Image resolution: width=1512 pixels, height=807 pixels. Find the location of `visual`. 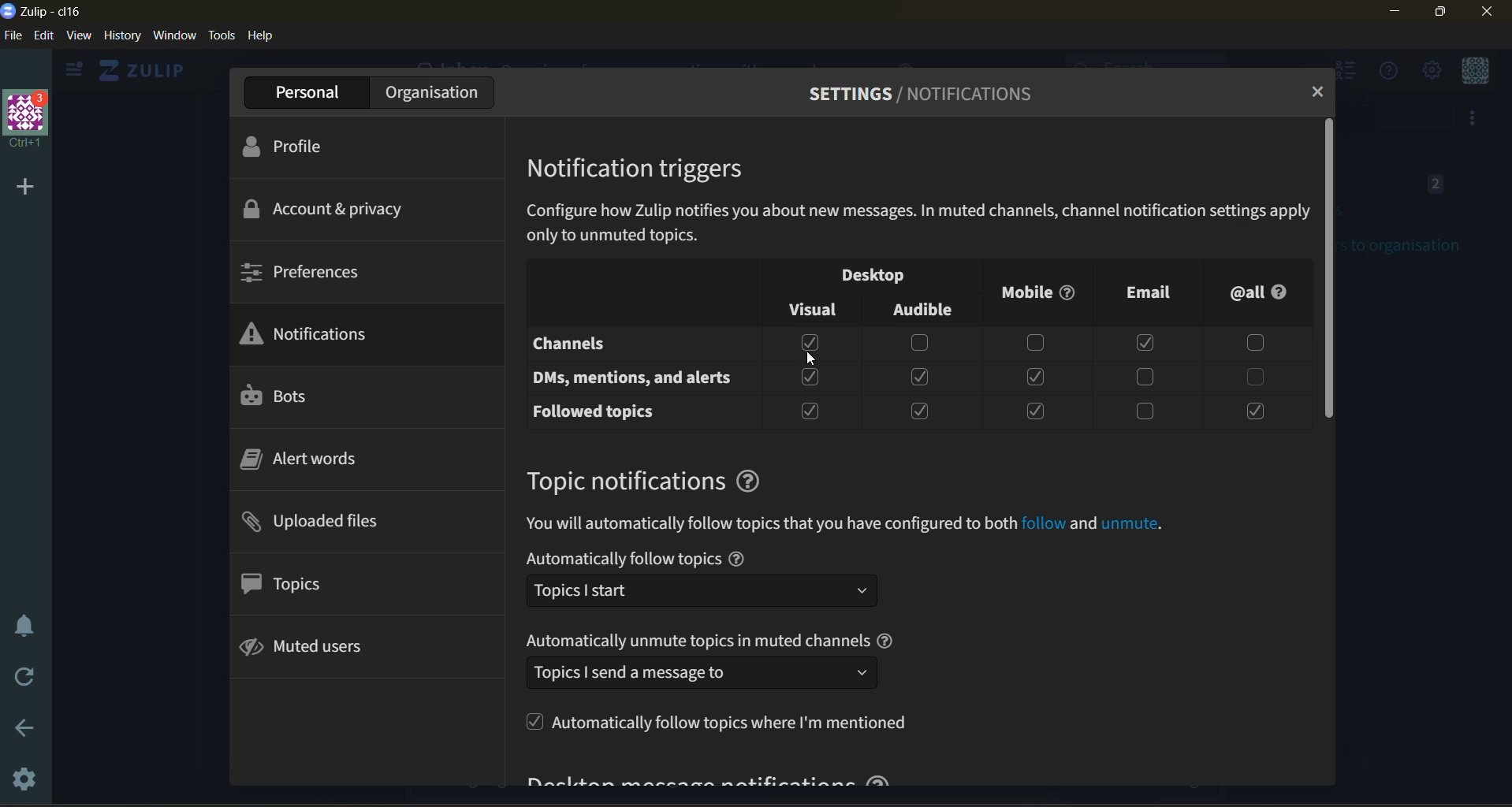

visual is located at coordinates (811, 310).